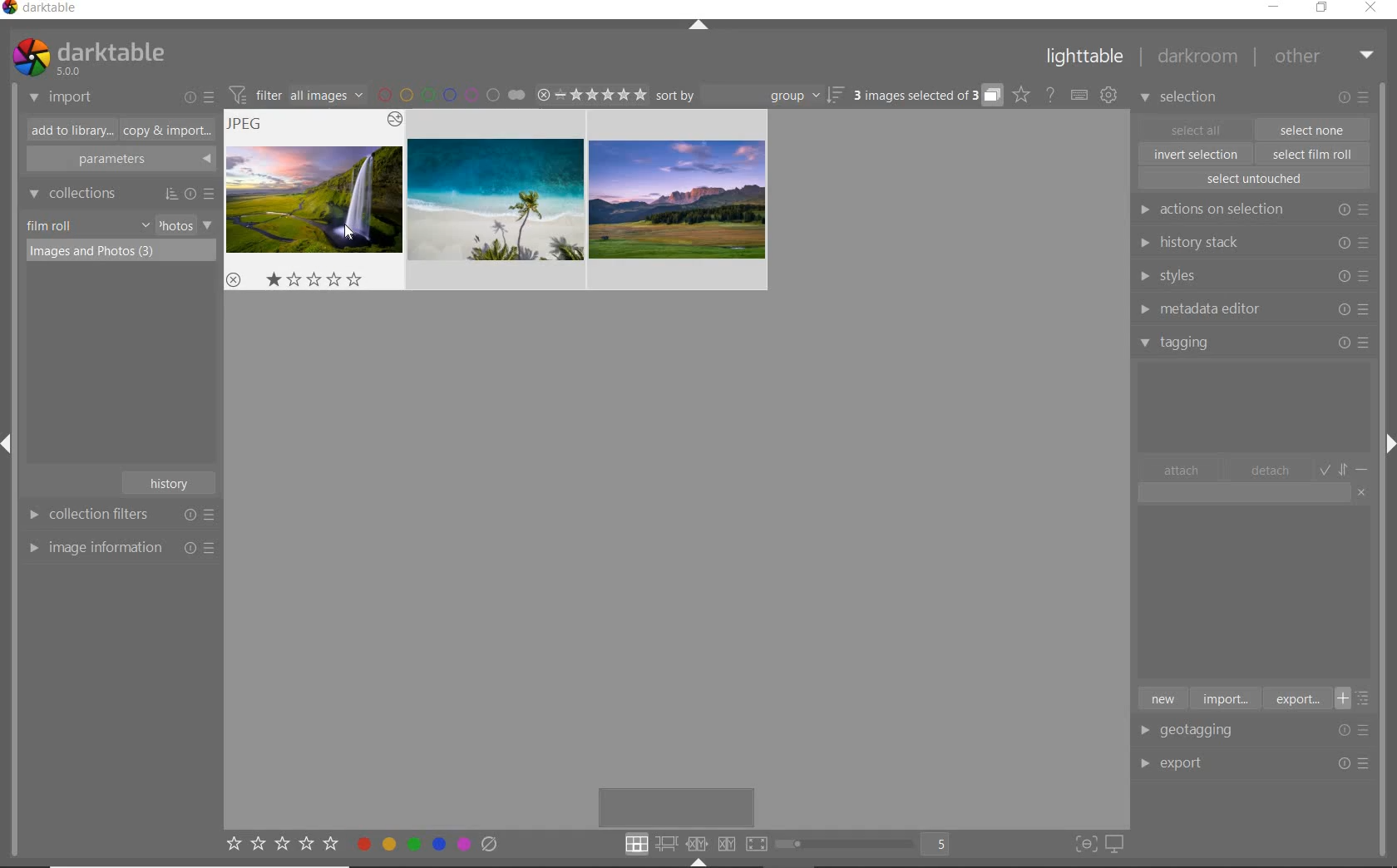  What do you see at coordinates (1312, 129) in the screenshot?
I see `select one` at bounding box center [1312, 129].